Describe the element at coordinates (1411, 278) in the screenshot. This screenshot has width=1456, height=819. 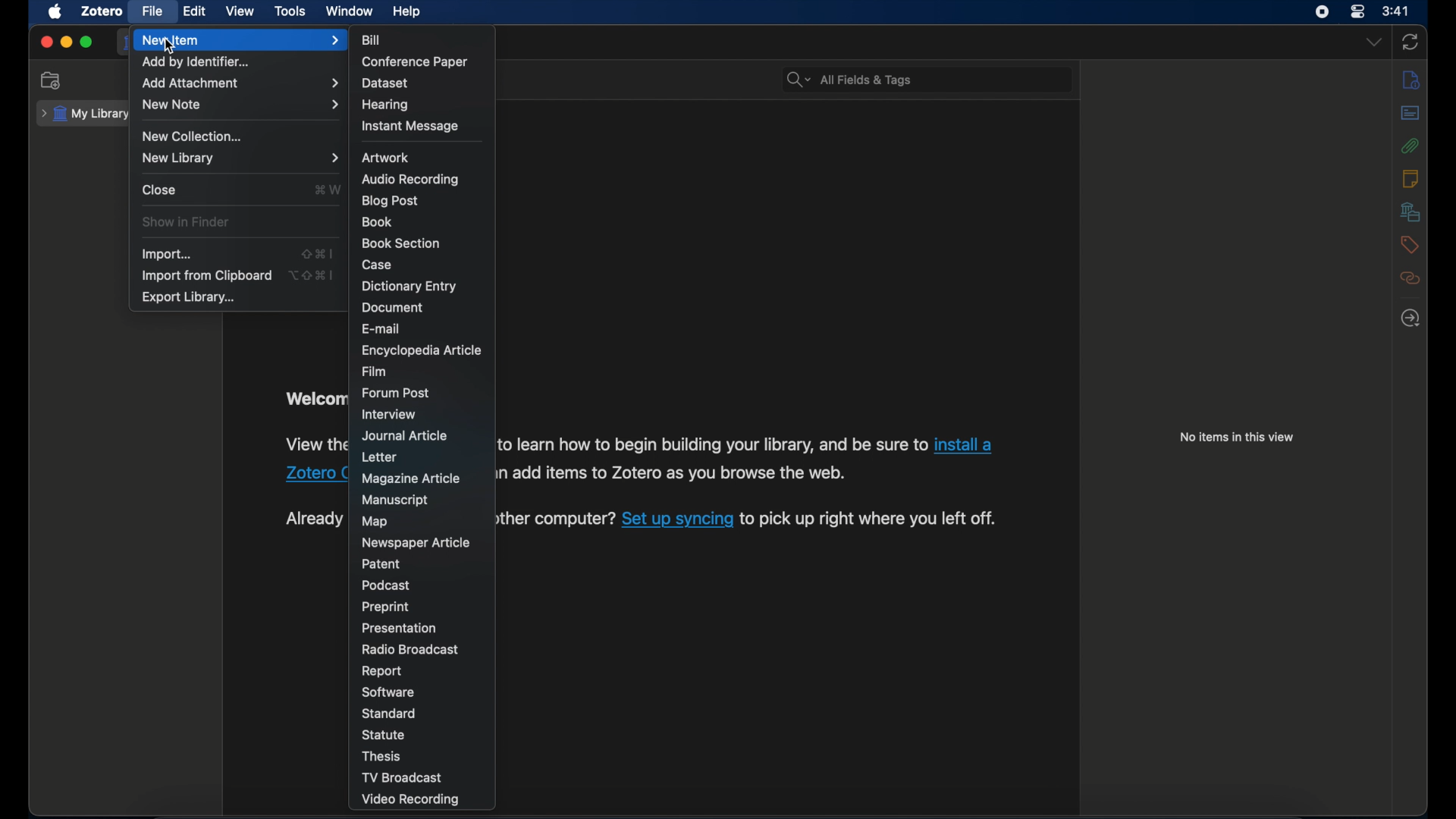
I see `related` at that location.